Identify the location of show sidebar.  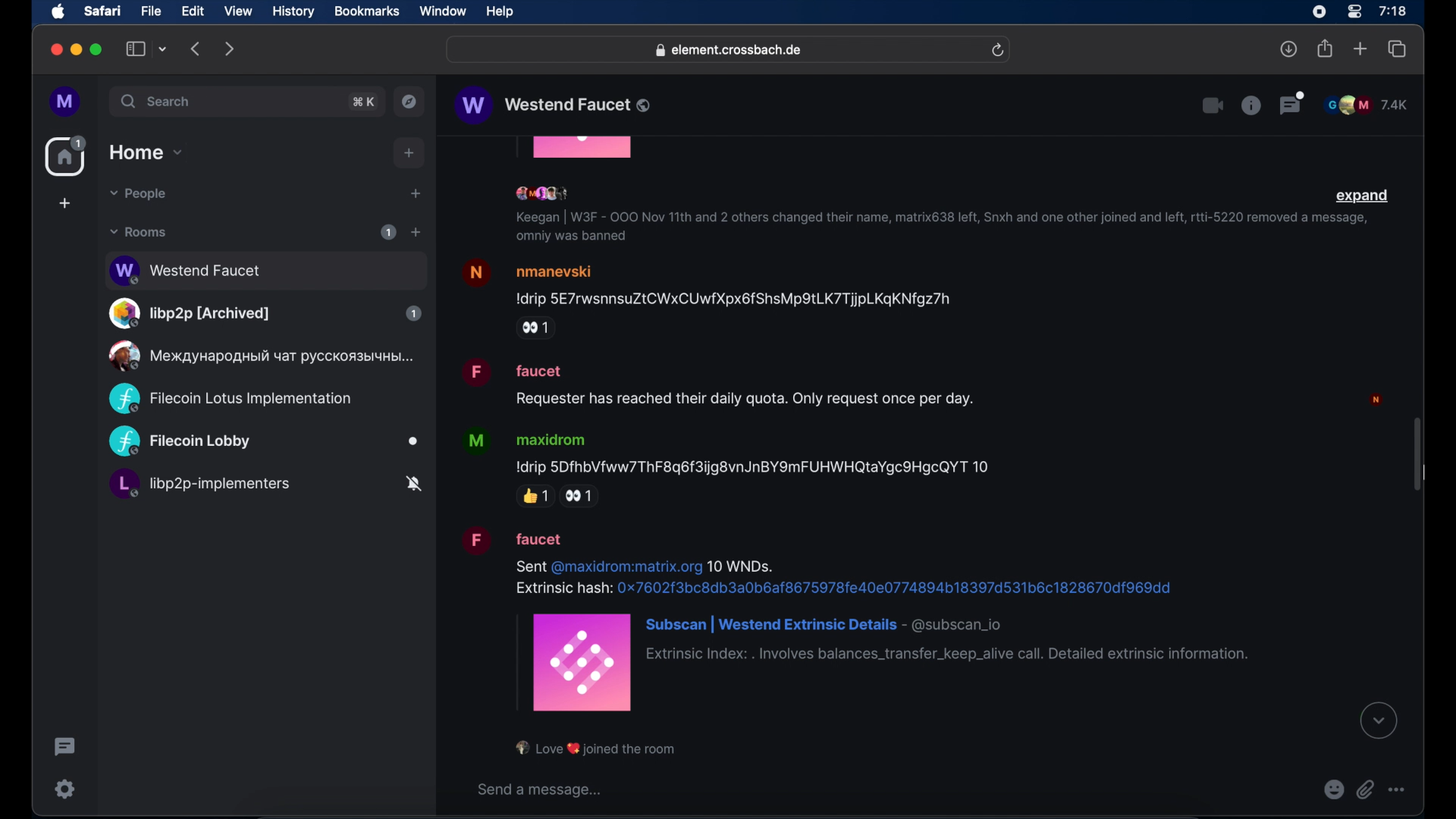
(136, 49).